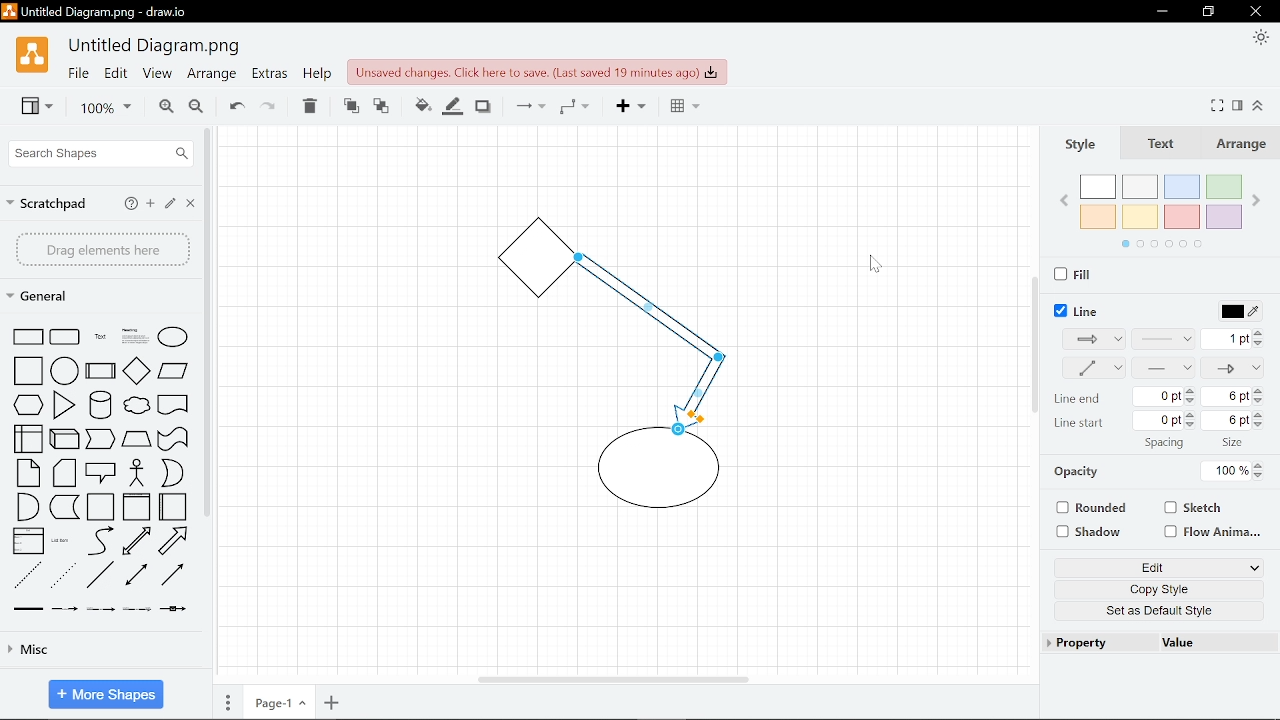  What do you see at coordinates (311, 106) in the screenshot?
I see `Delete` at bounding box center [311, 106].